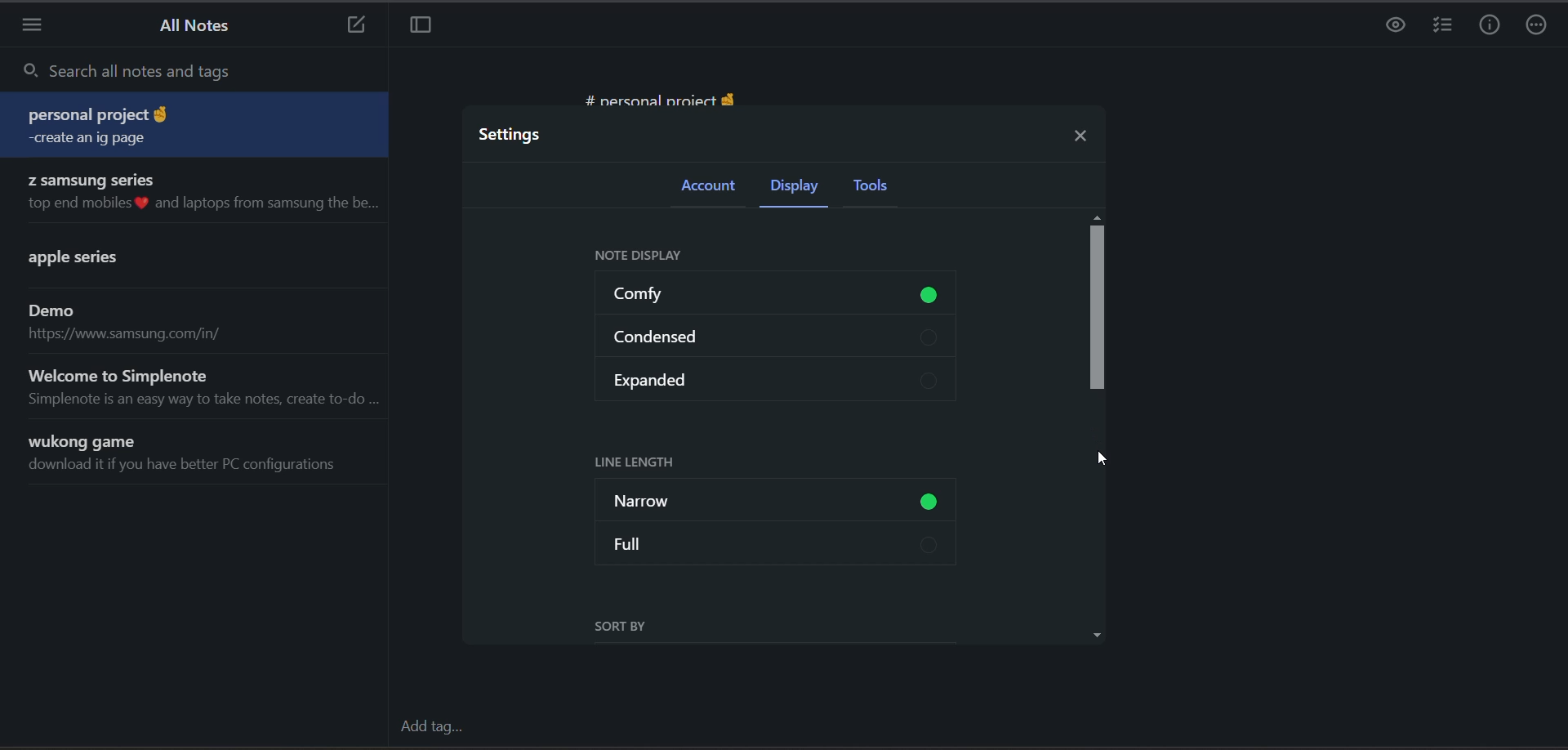  What do you see at coordinates (774, 379) in the screenshot?
I see `expanded` at bounding box center [774, 379].